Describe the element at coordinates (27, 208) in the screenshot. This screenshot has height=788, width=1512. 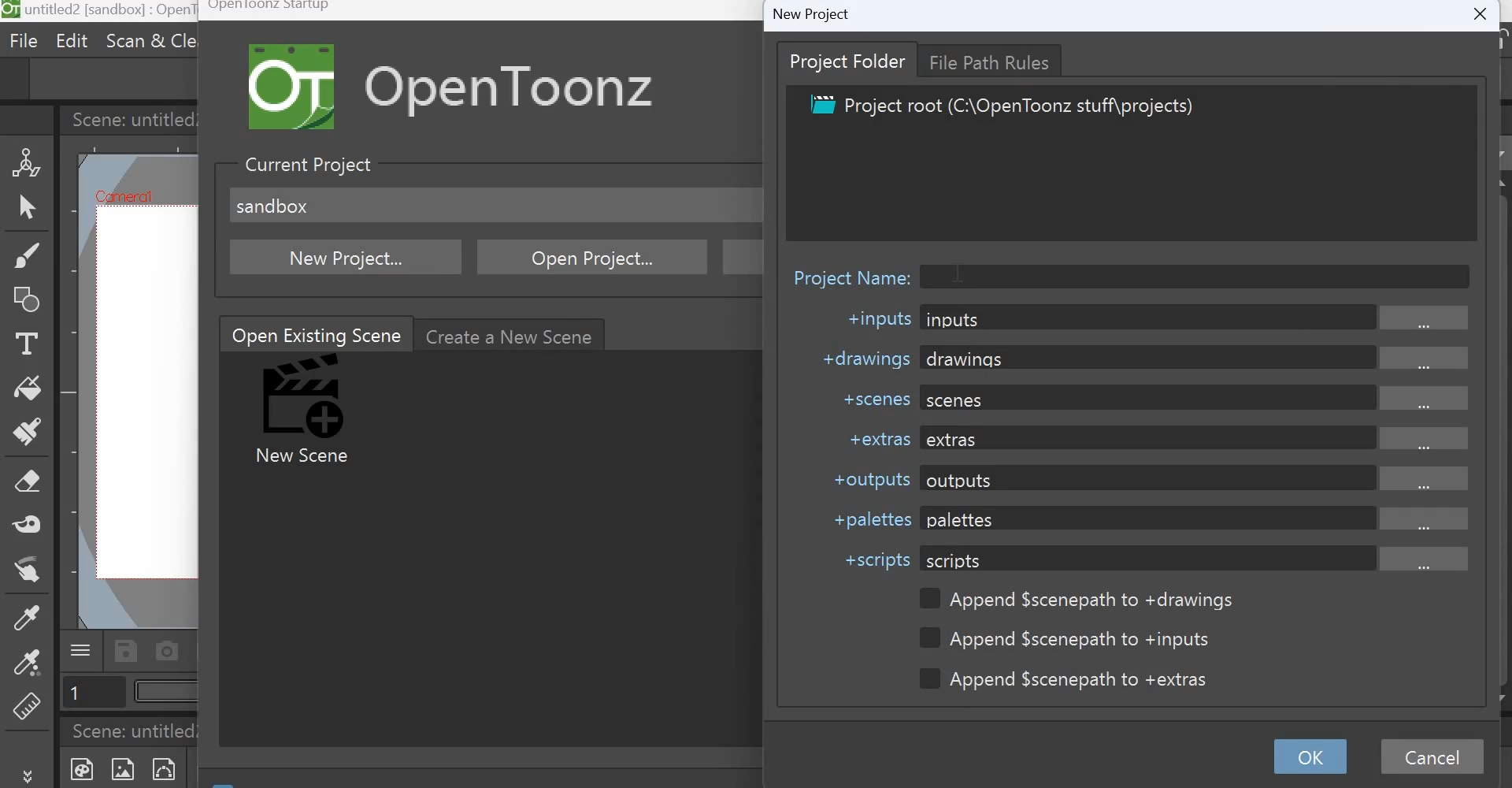
I see `Selection Tool` at that location.